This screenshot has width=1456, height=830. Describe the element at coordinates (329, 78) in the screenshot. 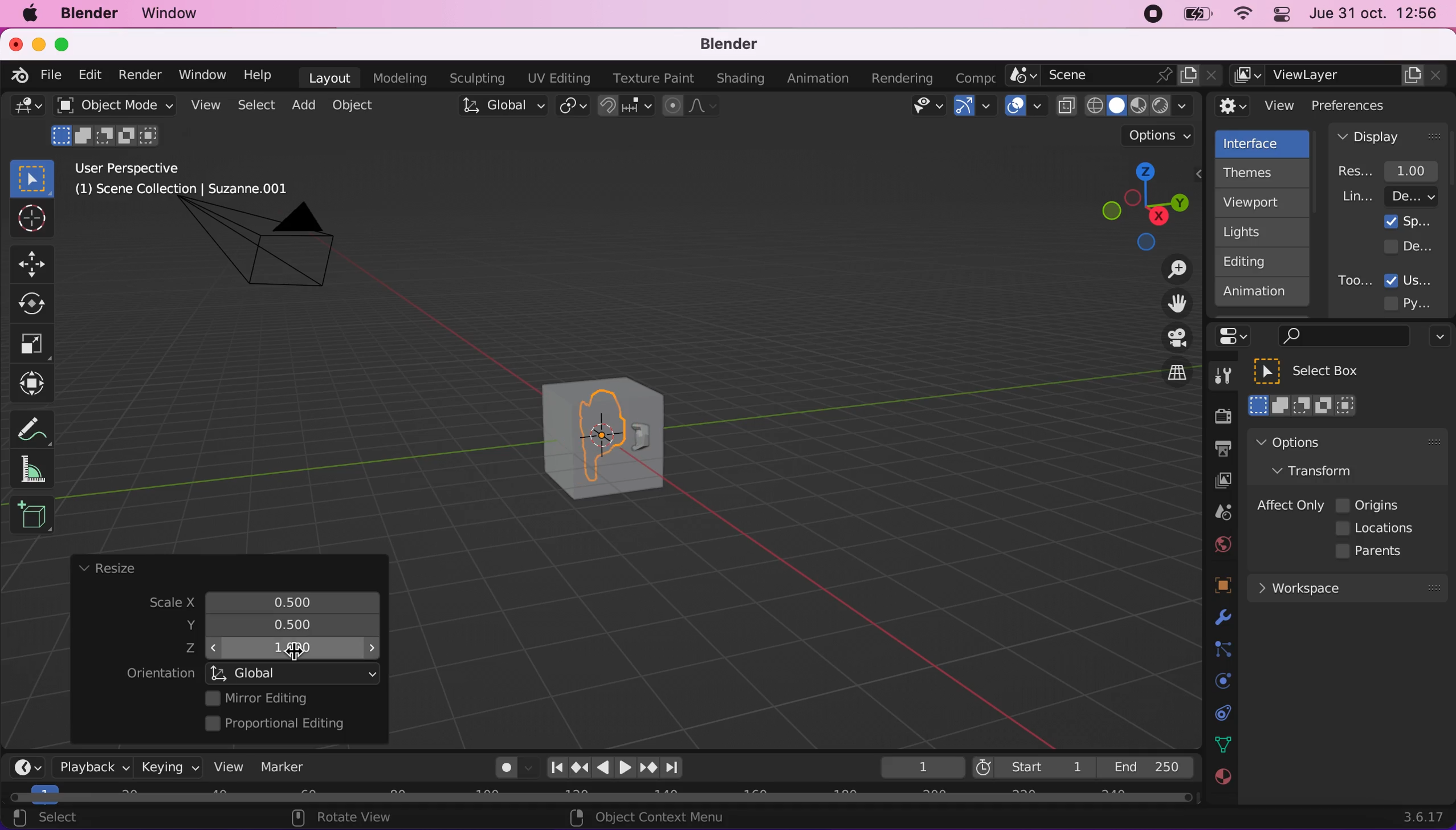

I see `layout` at that location.